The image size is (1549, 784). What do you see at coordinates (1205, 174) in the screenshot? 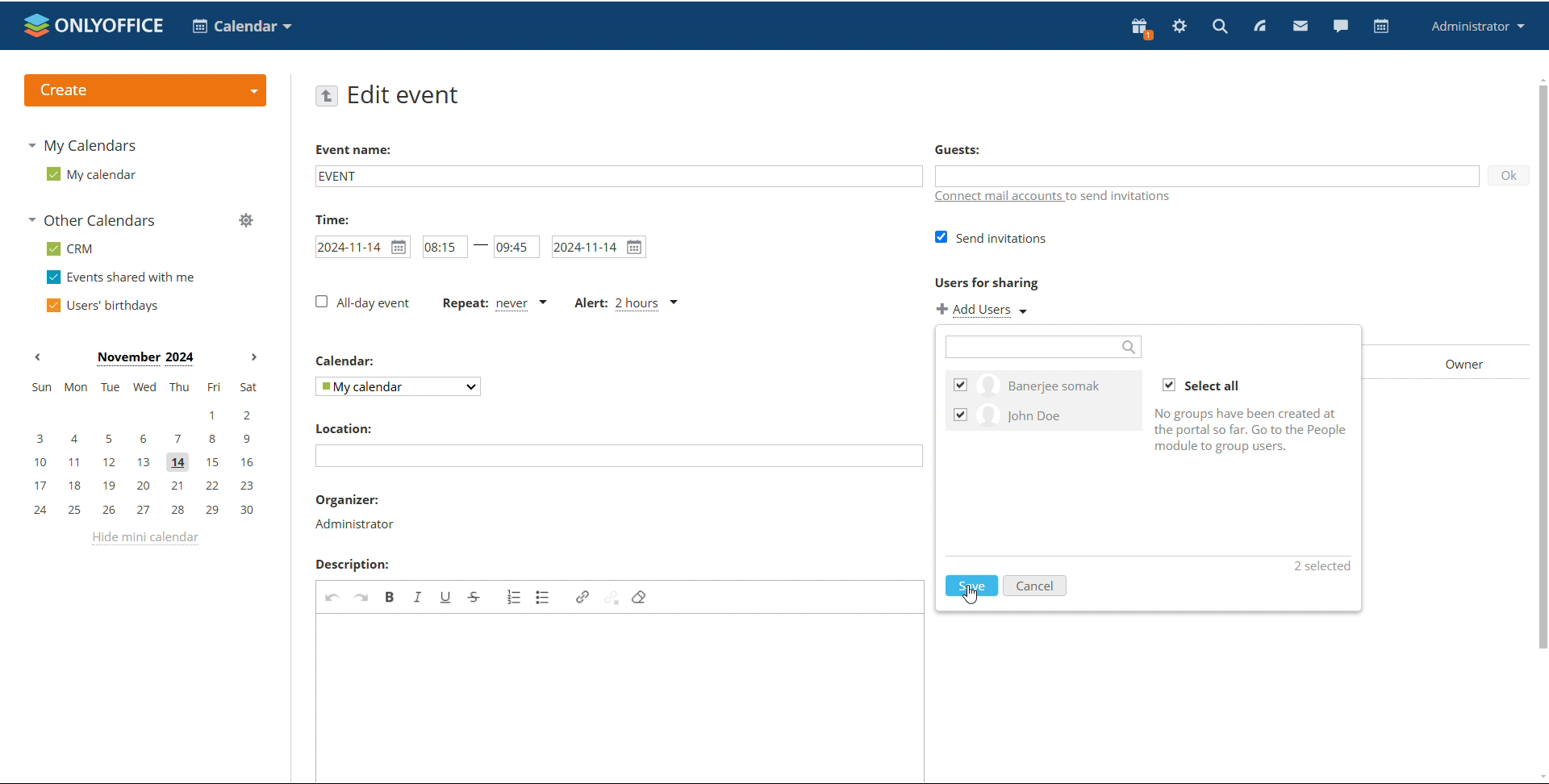
I see `add guests` at bounding box center [1205, 174].